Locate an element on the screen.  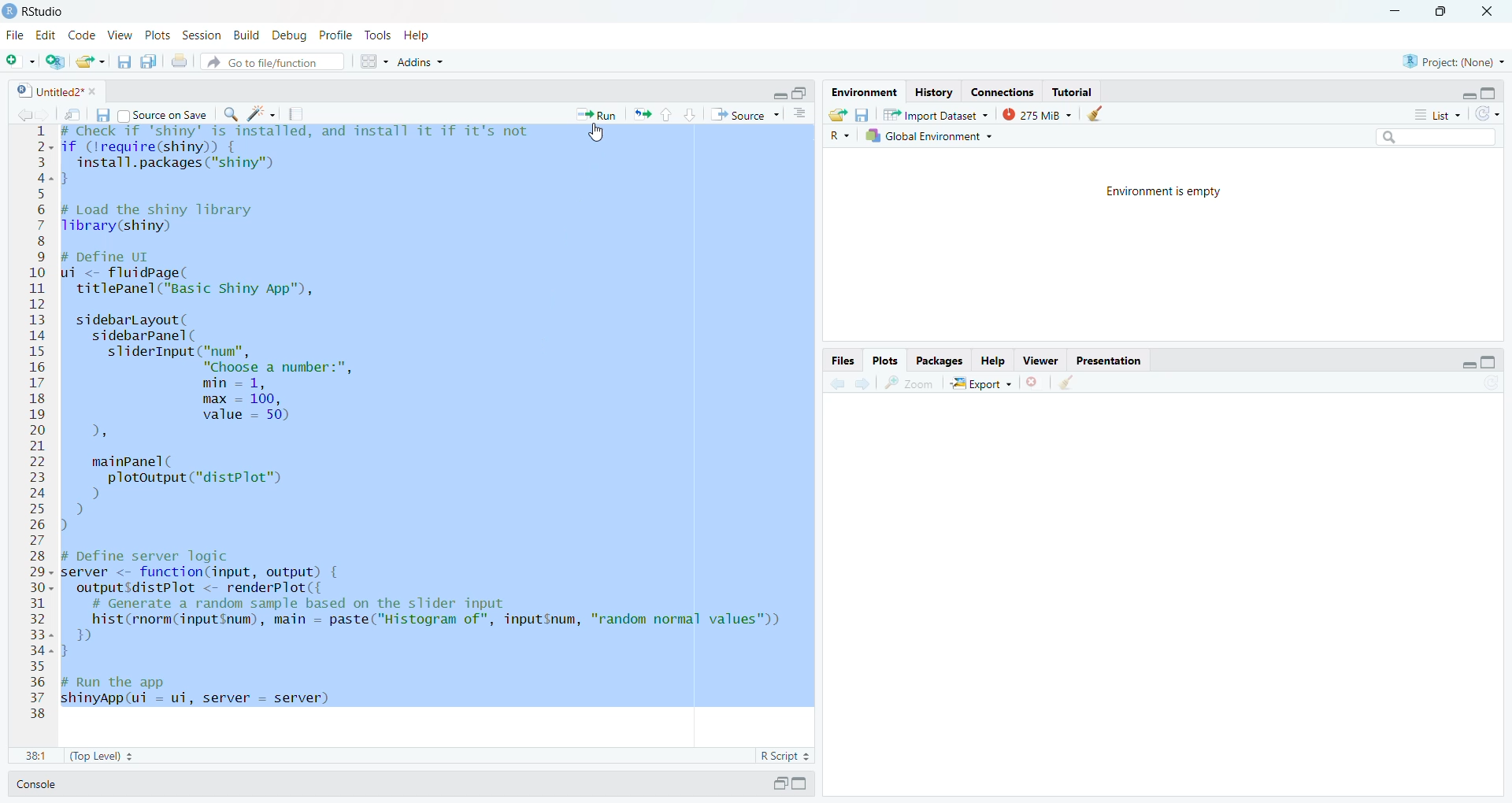
close is located at coordinates (96, 91).